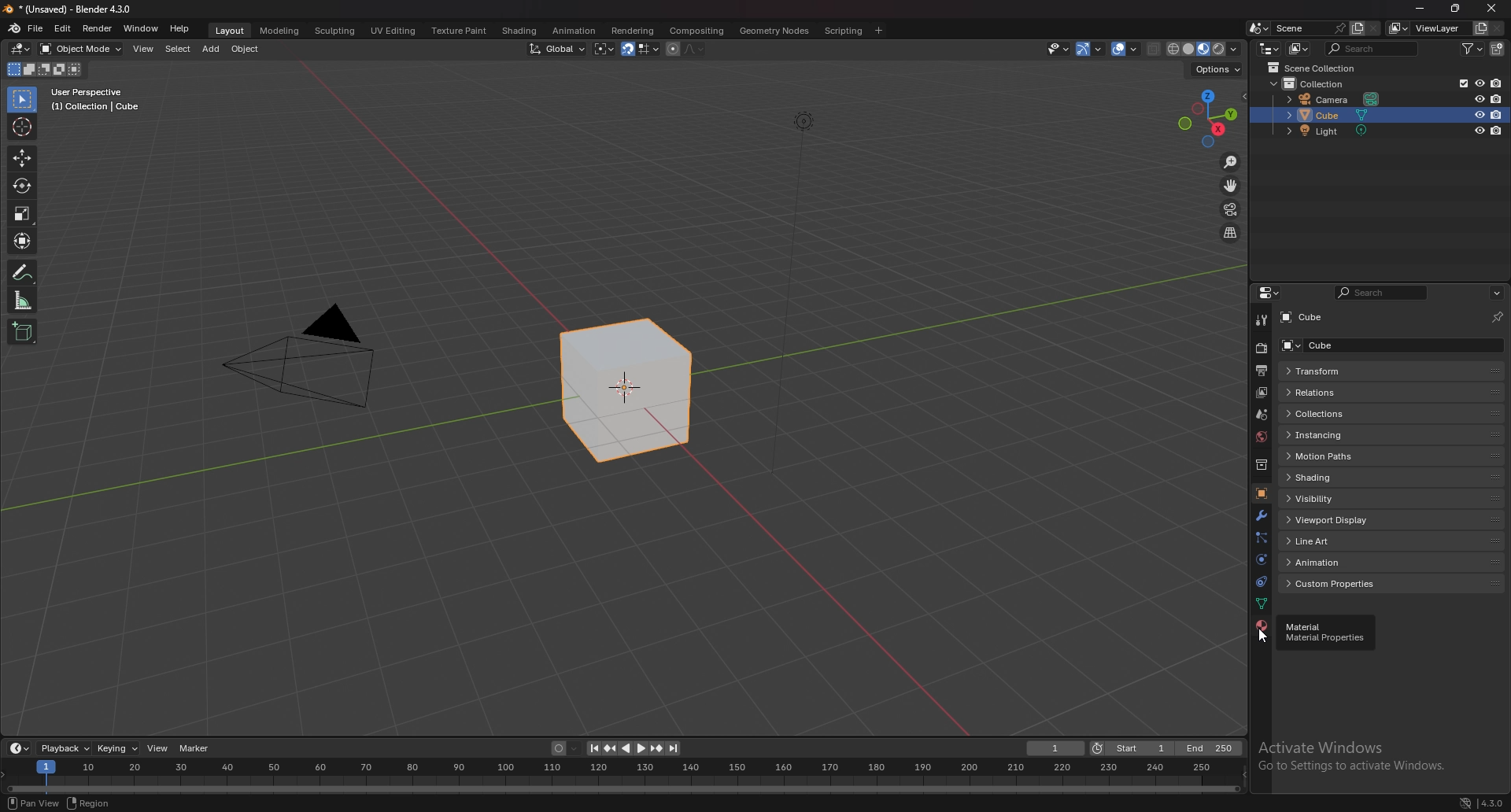  Describe the element at coordinates (212, 49) in the screenshot. I see `add` at that location.